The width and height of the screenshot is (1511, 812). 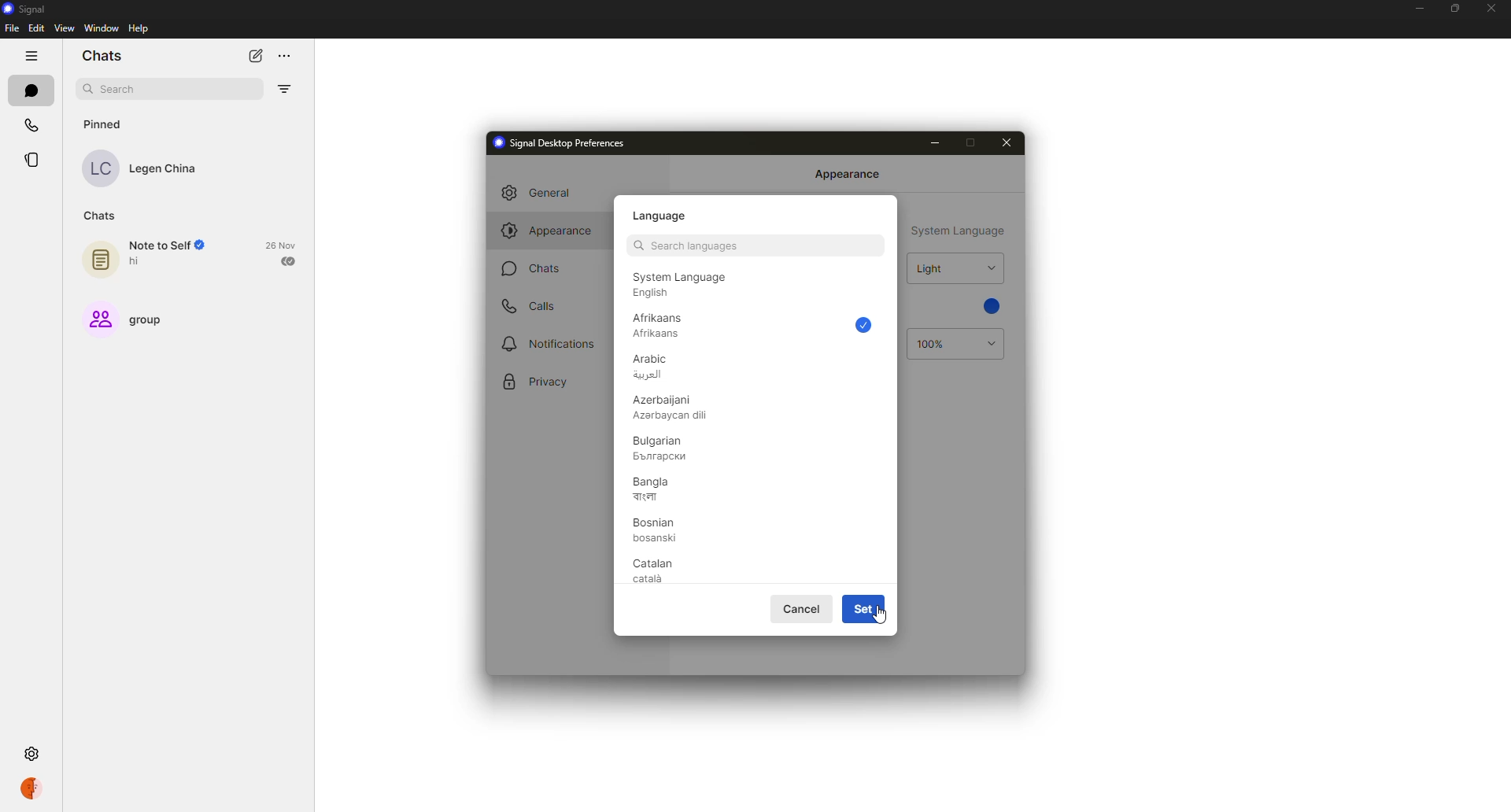 I want to click on light, so click(x=930, y=268).